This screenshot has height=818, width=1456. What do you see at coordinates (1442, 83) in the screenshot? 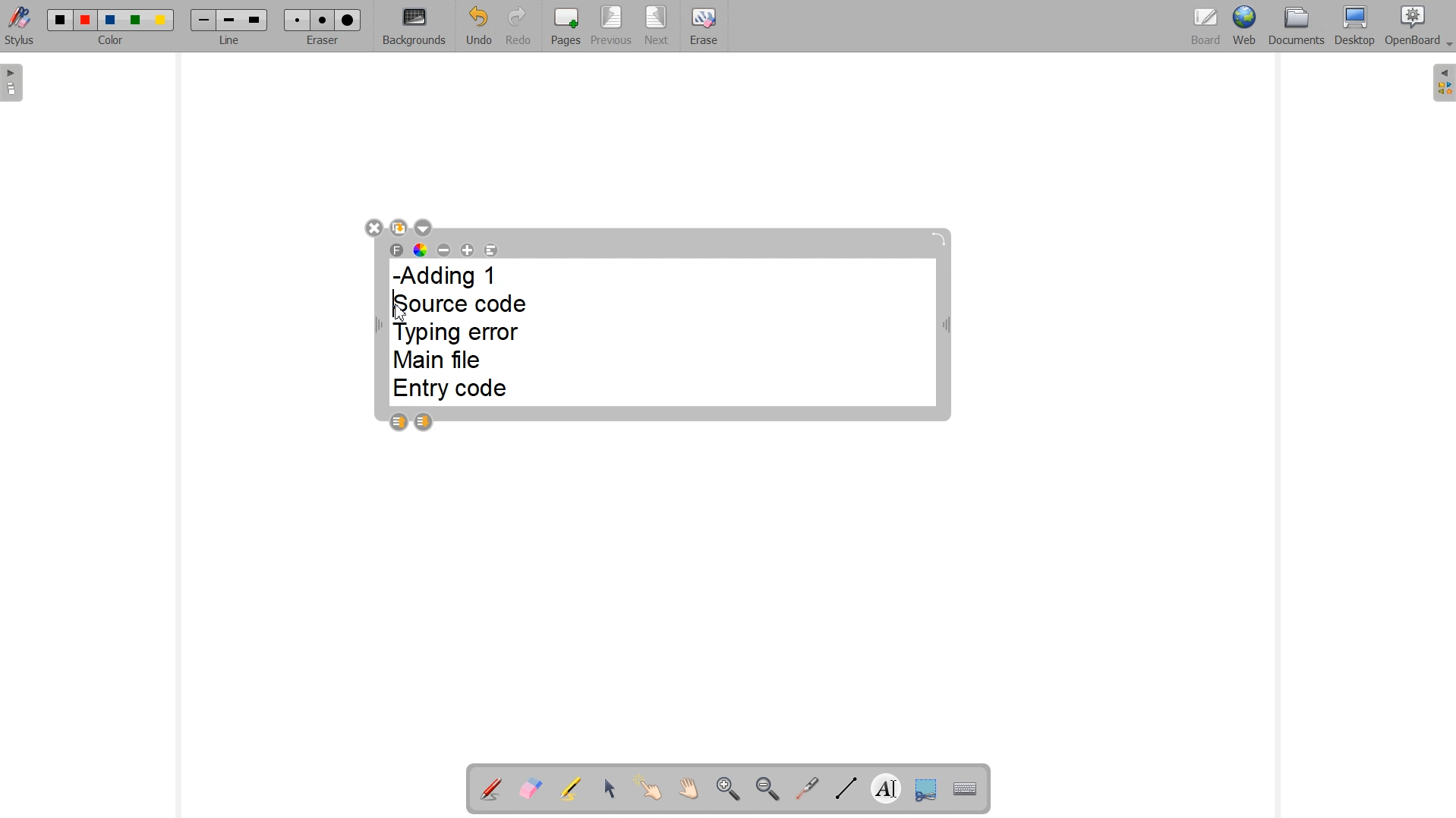
I see `The library (right panel)` at bounding box center [1442, 83].